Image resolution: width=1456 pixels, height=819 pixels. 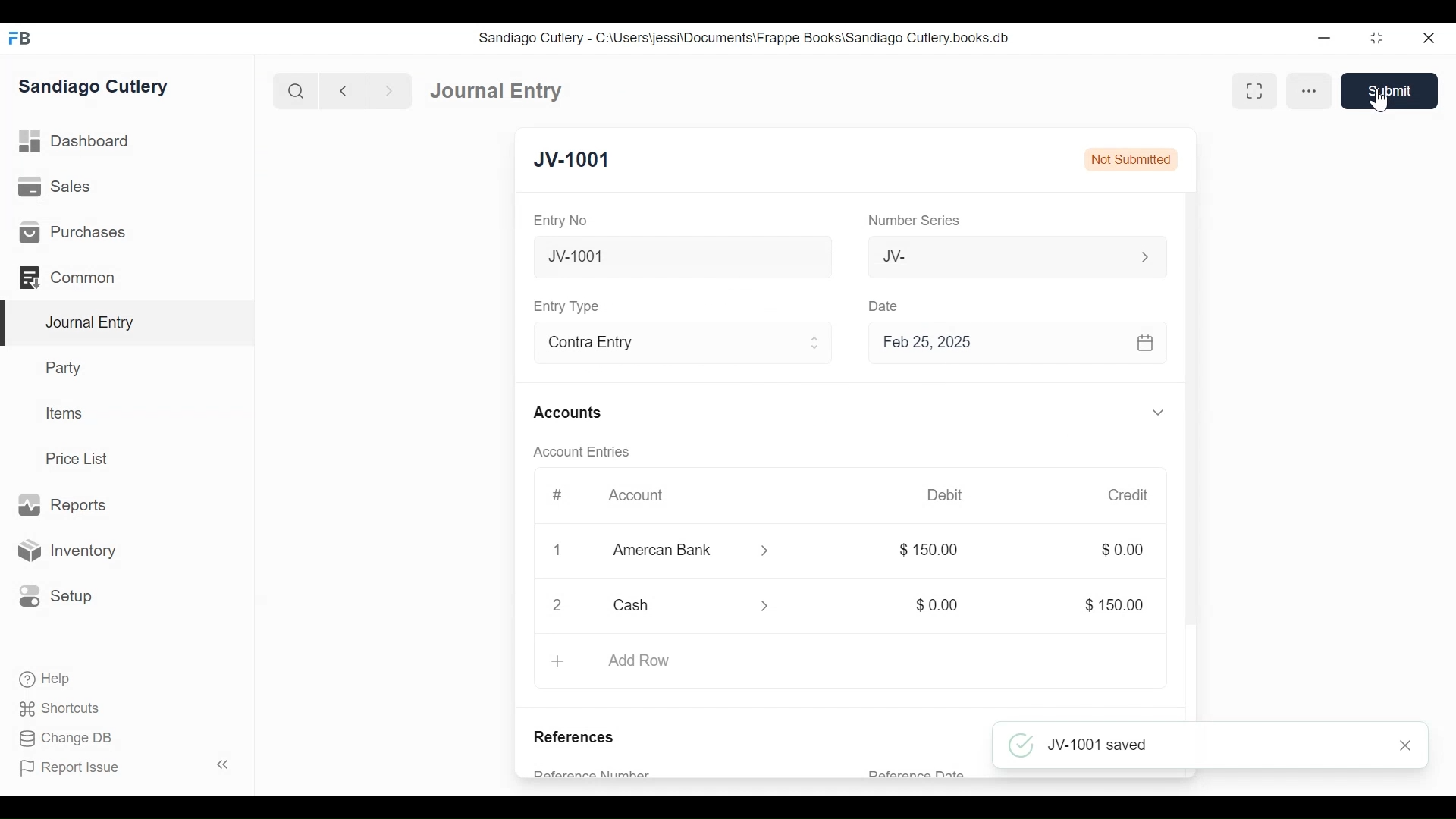 What do you see at coordinates (1379, 37) in the screenshot?
I see `Restore` at bounding box center [1379, 37].